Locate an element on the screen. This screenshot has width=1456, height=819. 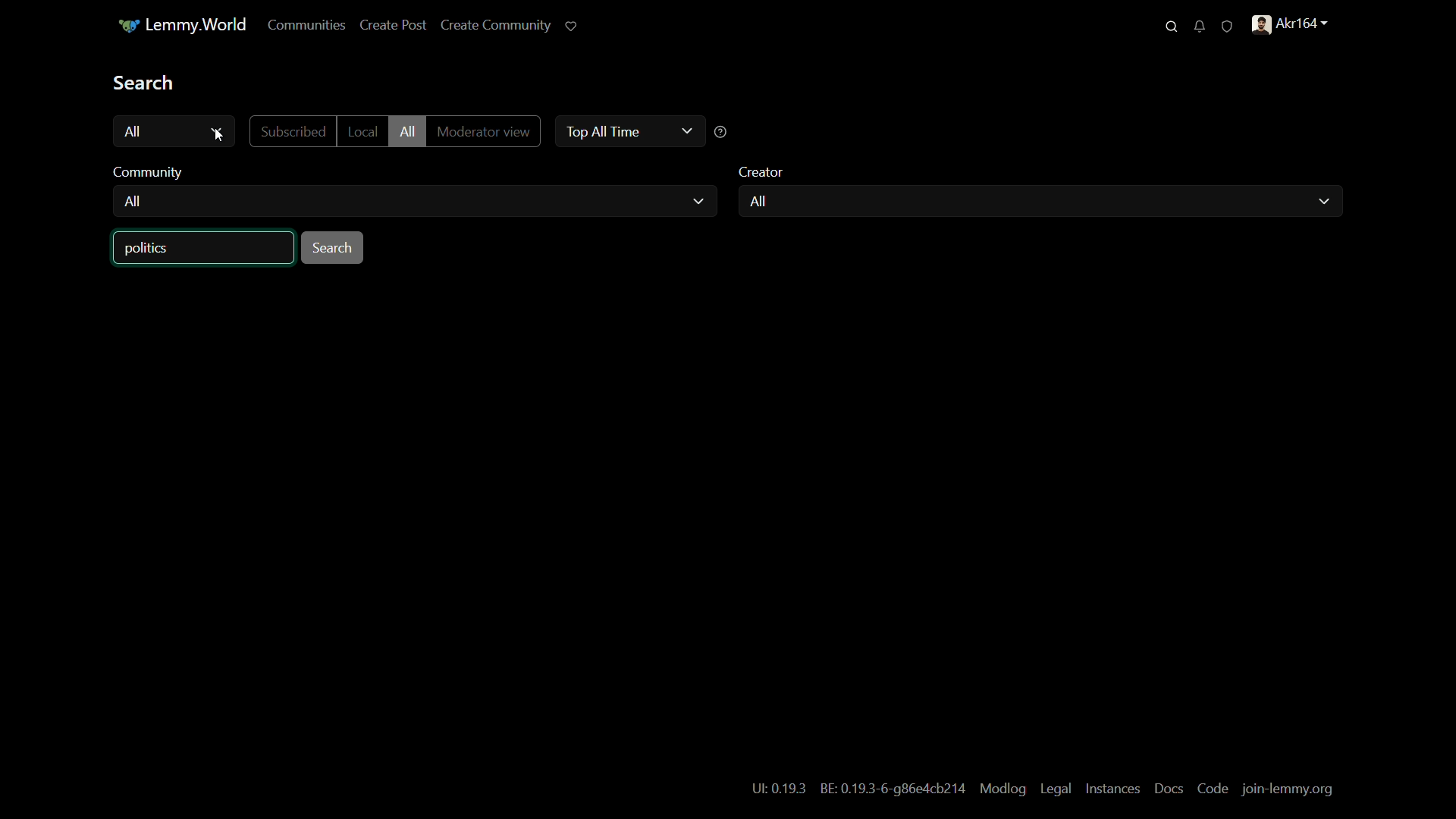
search is located at coordinates (1172, 27).